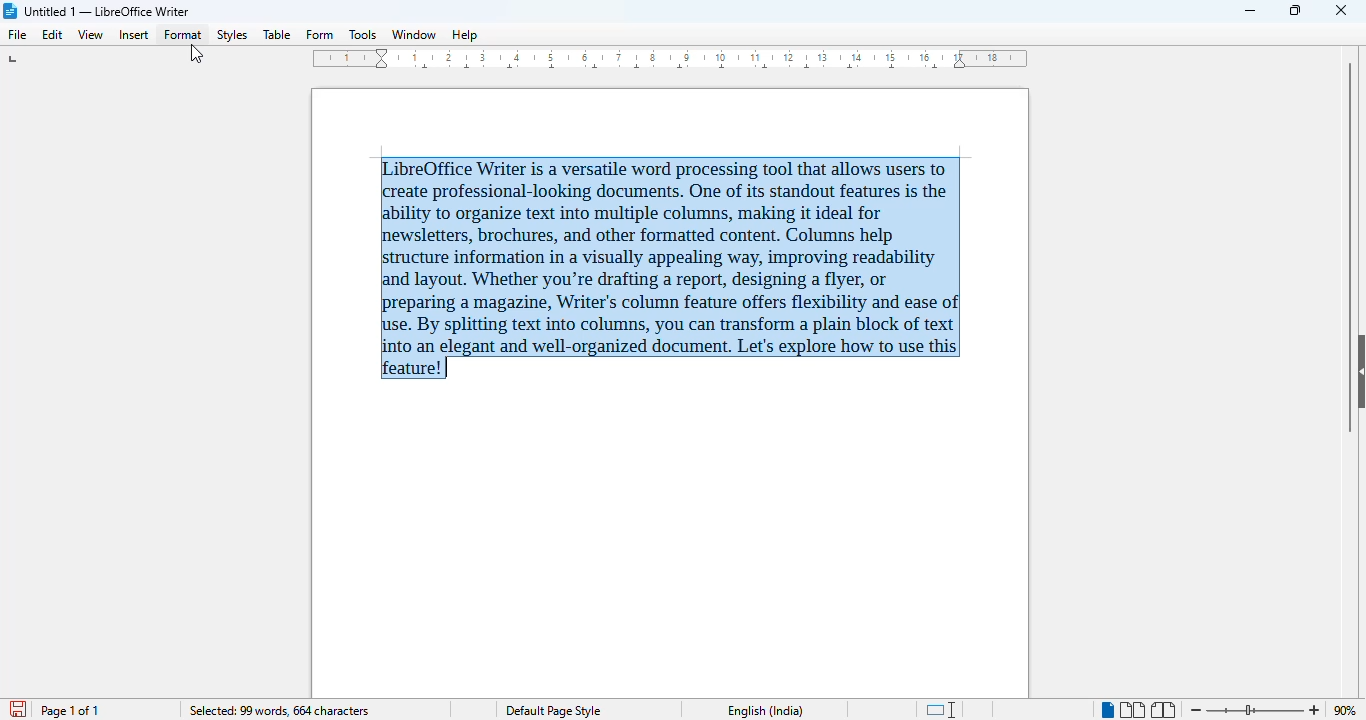 Image resolution: width=1366 pixels, height=720 pixels. What do you see at coordinates (766, 711) in the screenshot?
I see `English (India)` at bounding box center [766, 711].